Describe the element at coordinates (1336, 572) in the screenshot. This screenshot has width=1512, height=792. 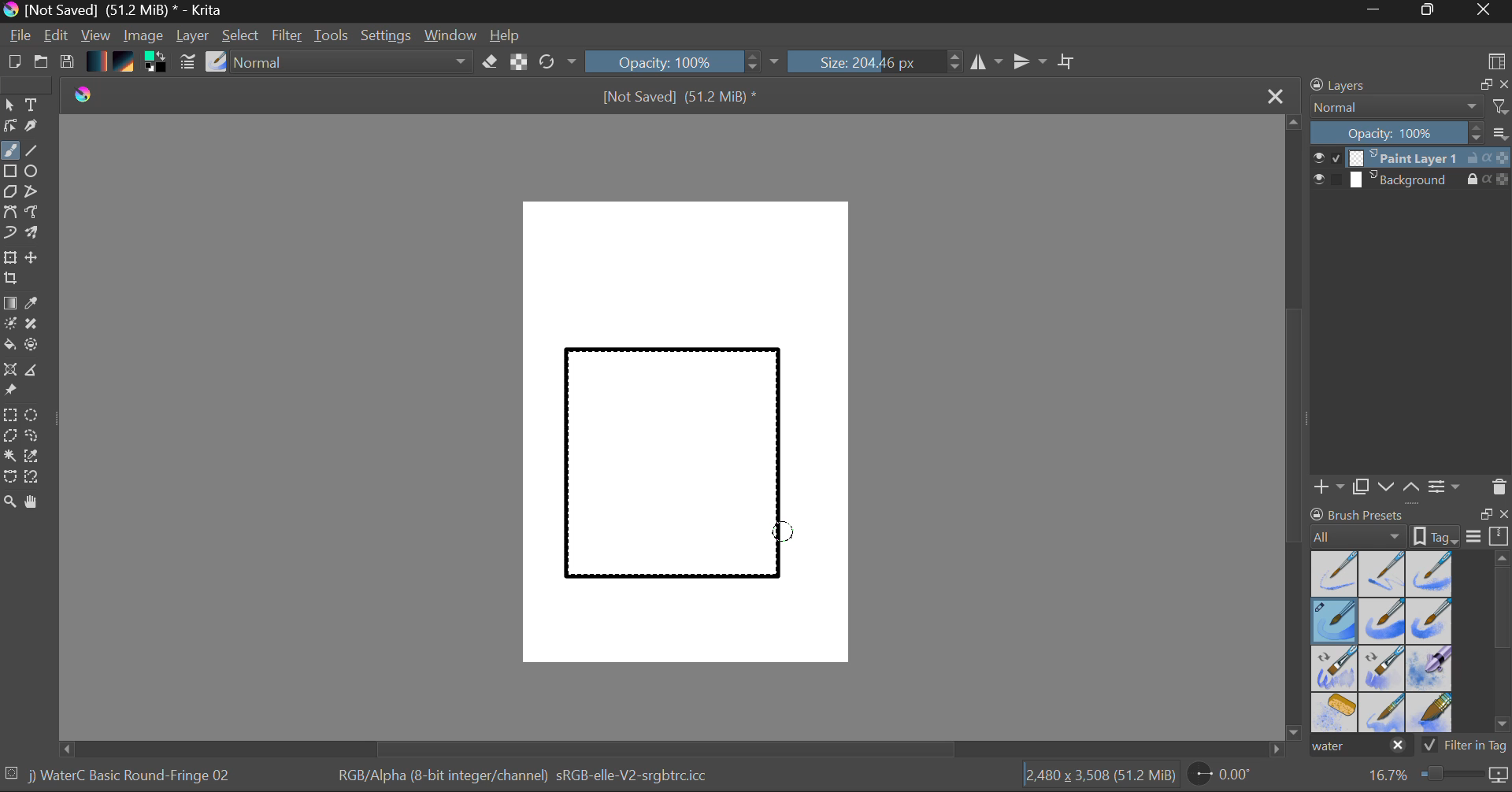
I see `Water C - Dry` at that location.